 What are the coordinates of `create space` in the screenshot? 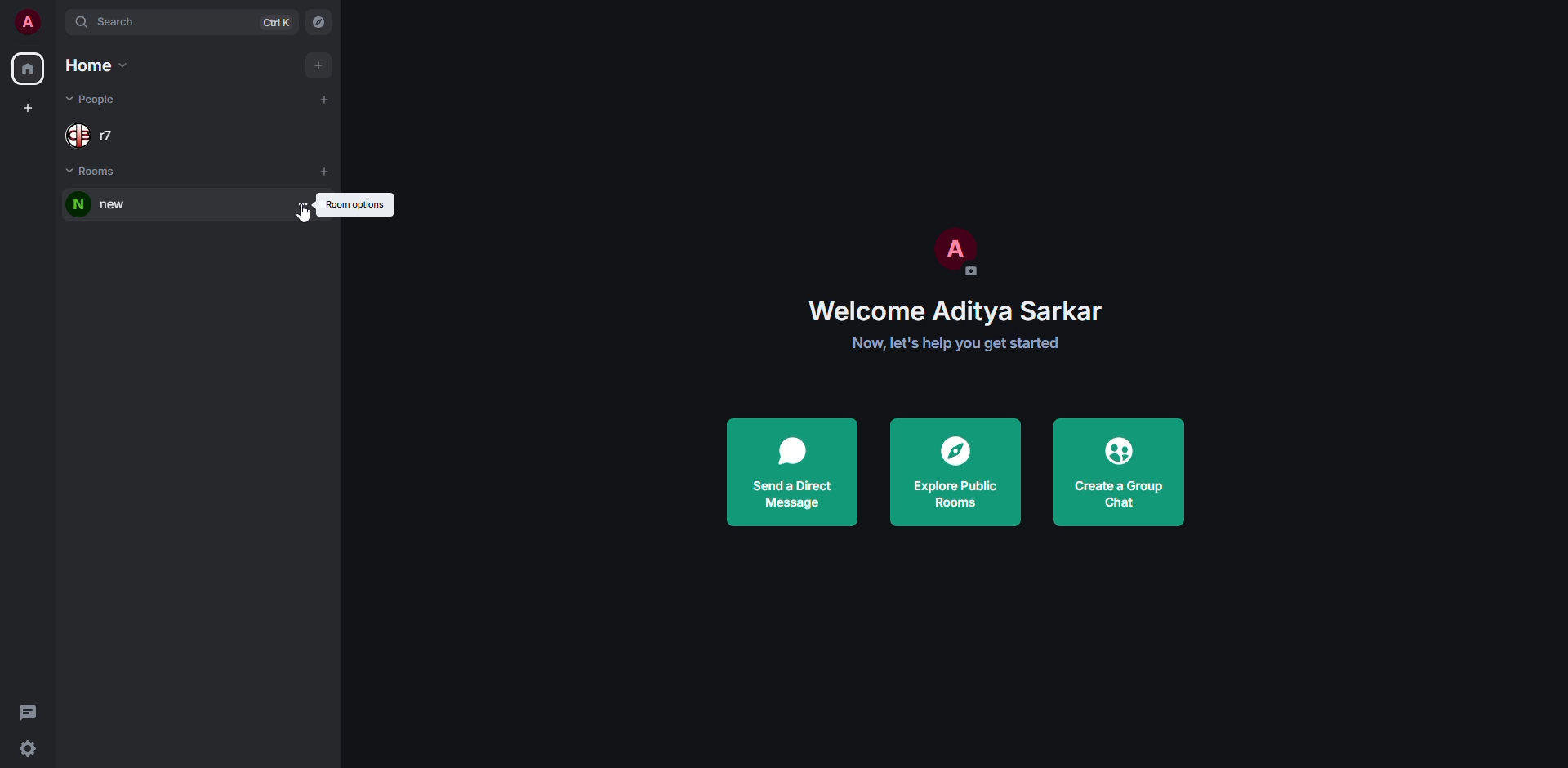 It's located at (30, 108).